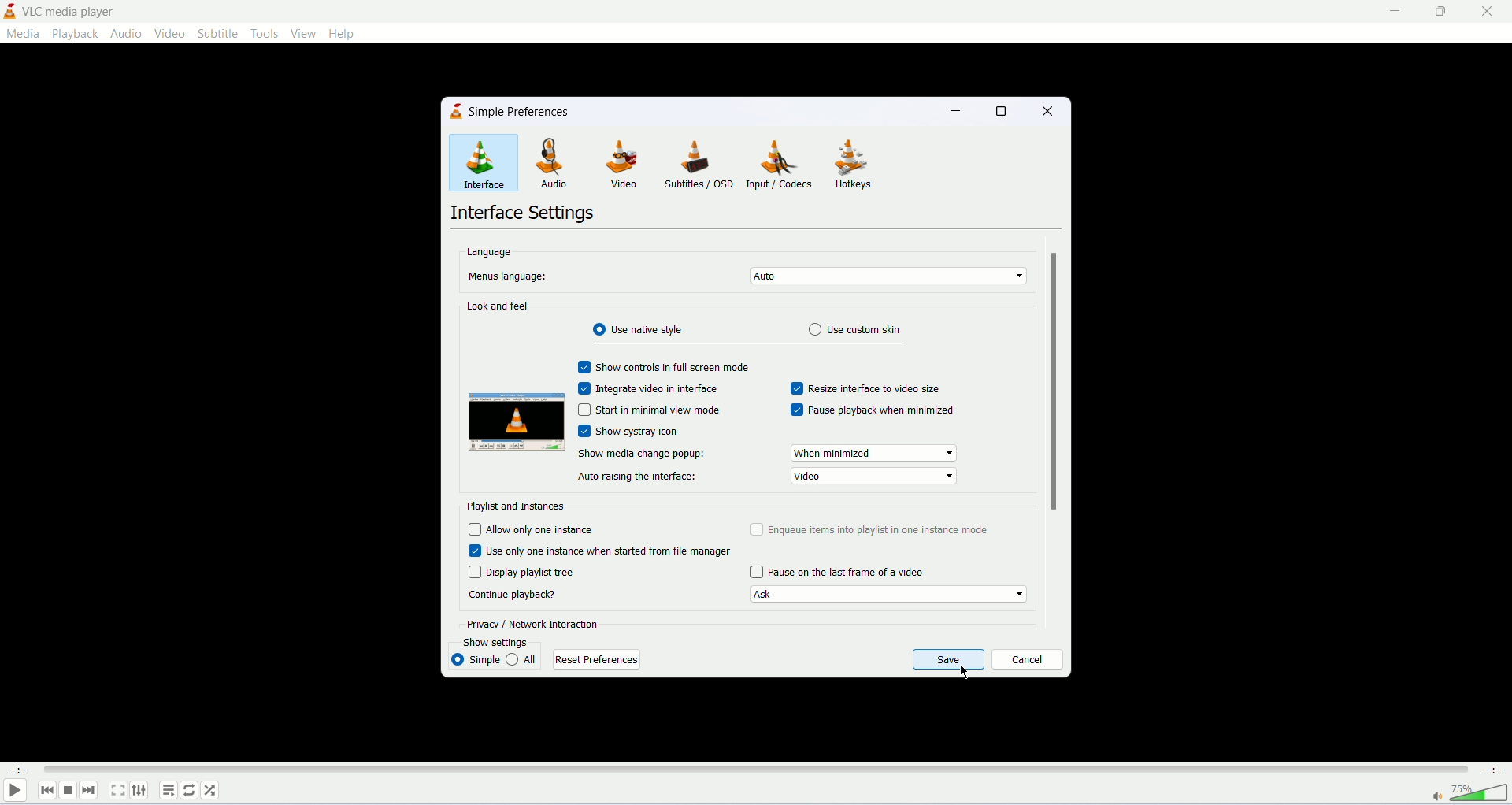  What do you see at coordinates (265, 34) in the screenshot?
I see `tools` at bounding box center [265, 34].